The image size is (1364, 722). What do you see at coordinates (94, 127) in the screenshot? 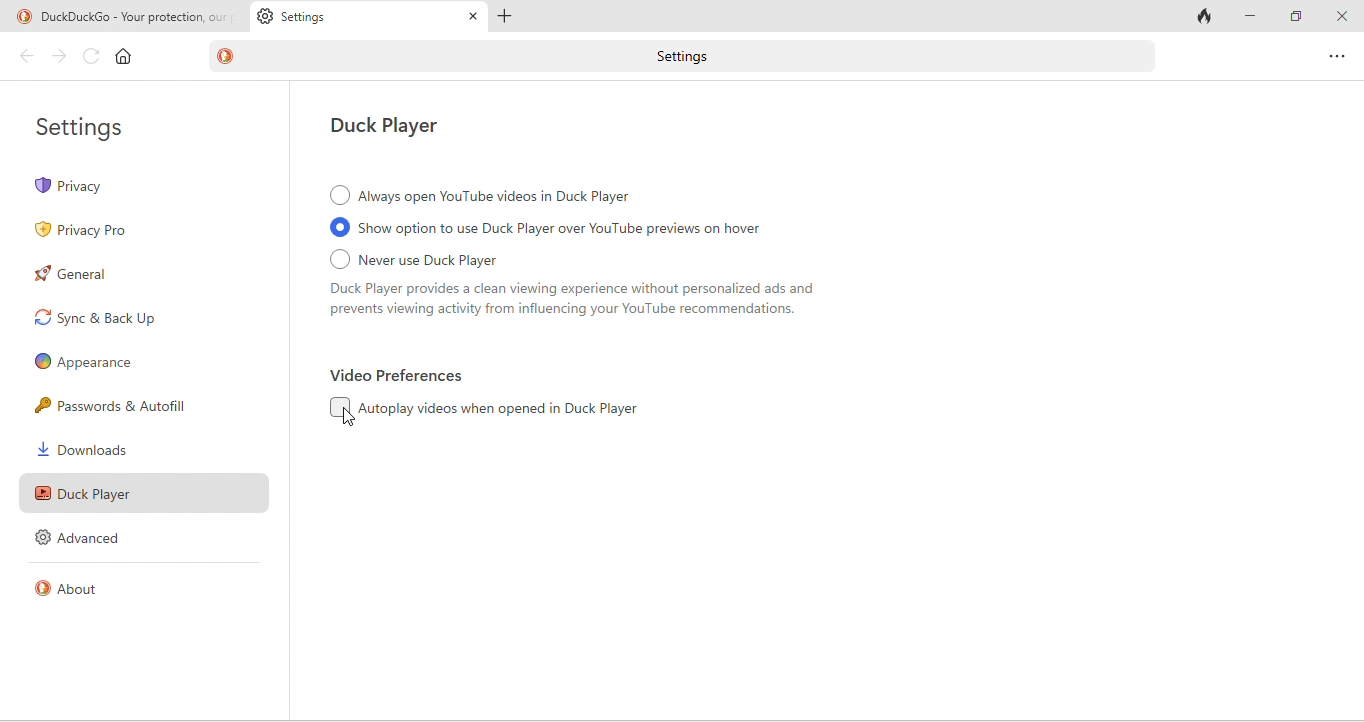
I see `settings` at bounding box center [94, 127].